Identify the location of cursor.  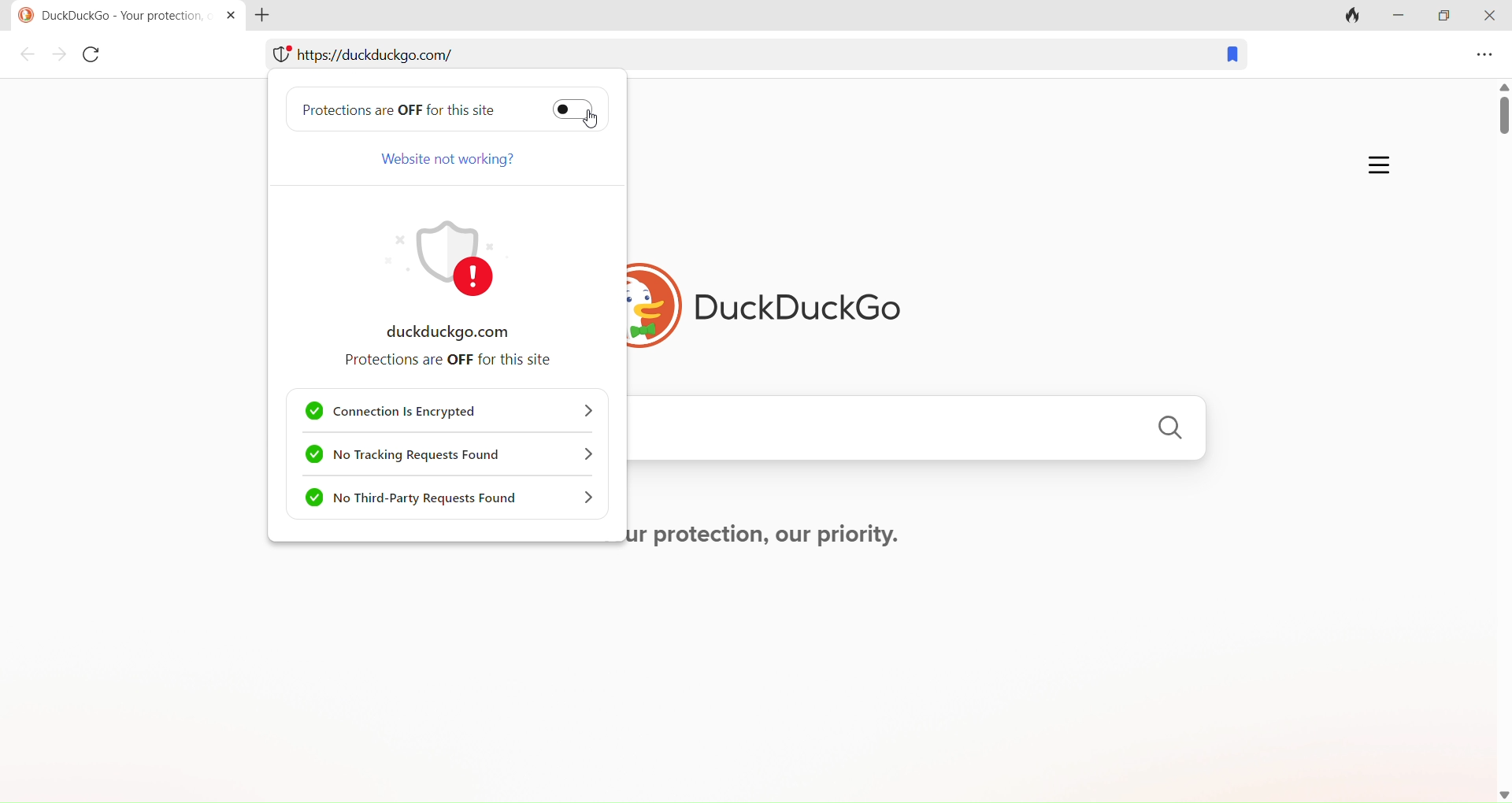
(596, 124).